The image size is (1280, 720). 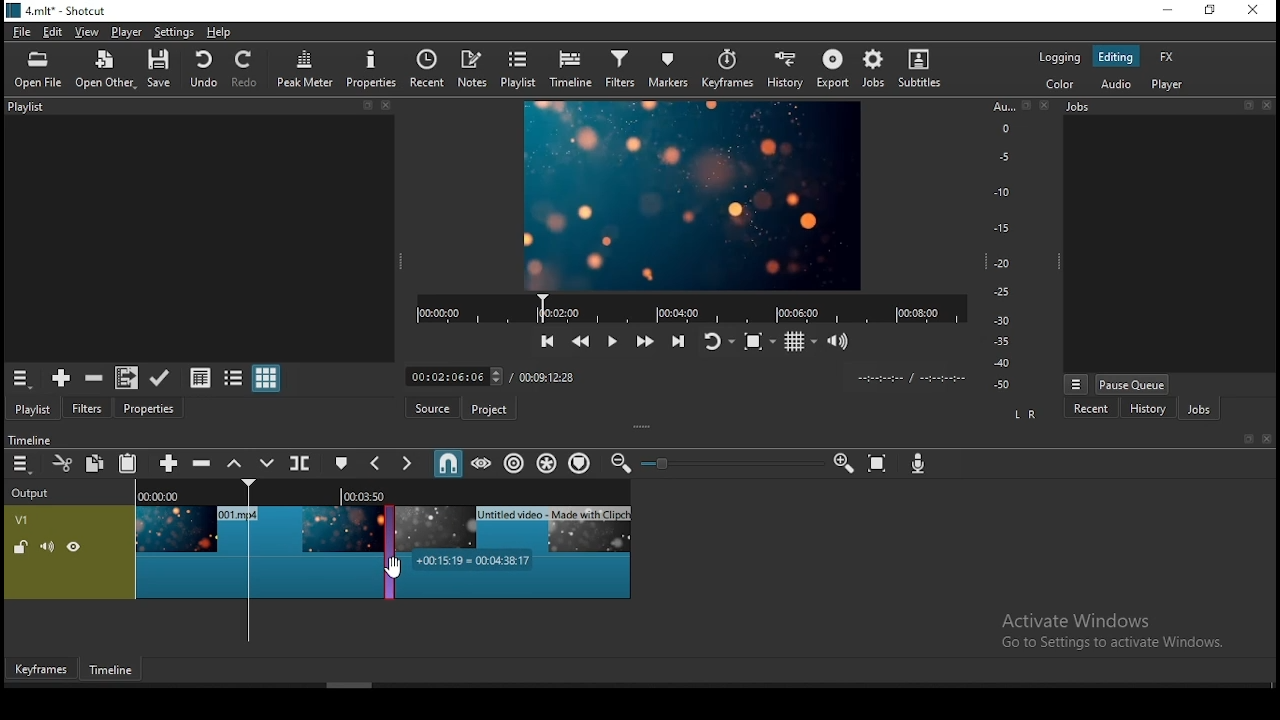 What do you see at coordinates (548, 464) in the screenshot?
I see `ripple all tracks` at bounding box center [548, 464].